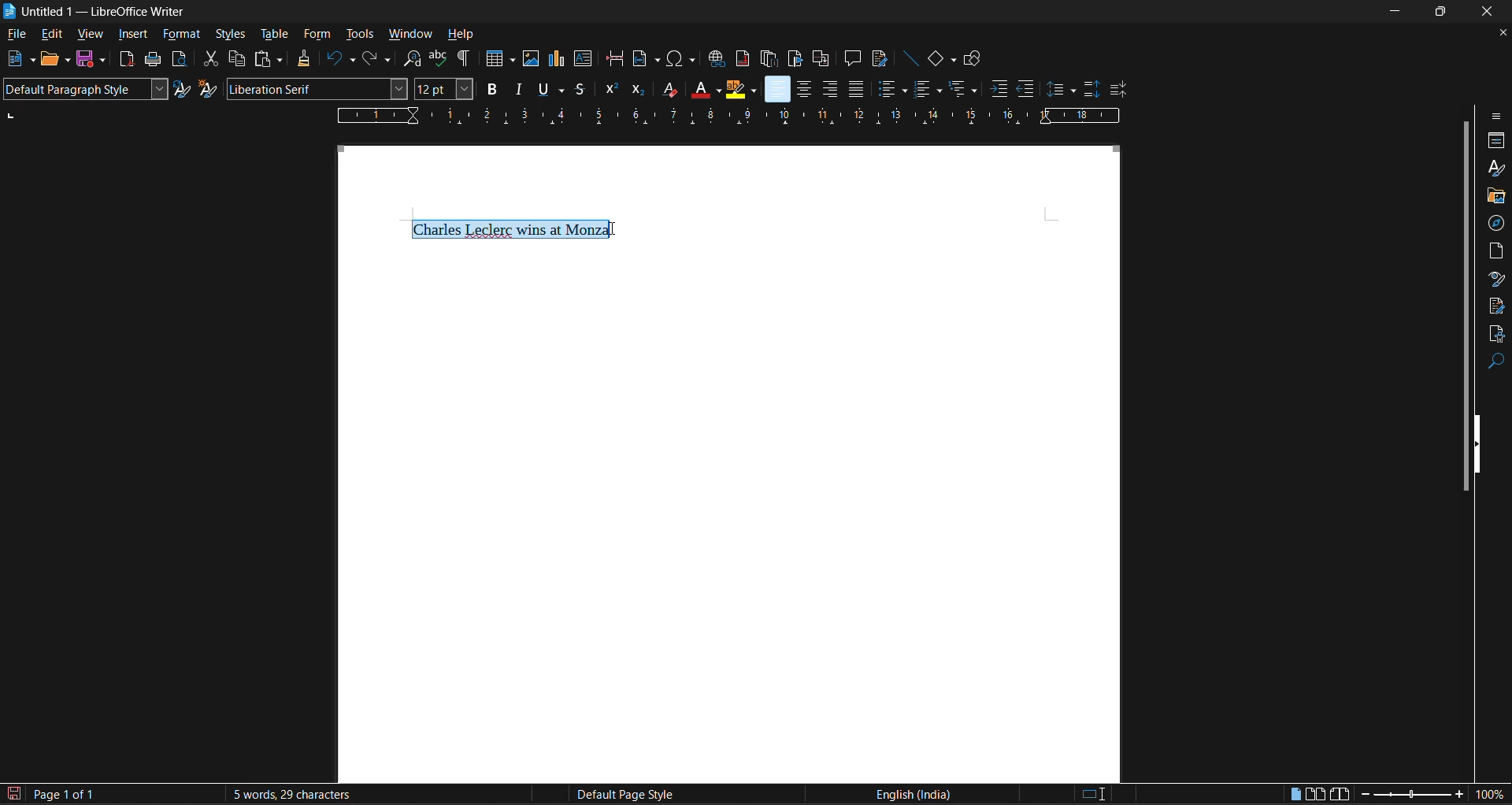 Image resolution: width=1512 pixels, height=805 pixels. I want to click on clear direct formatting, so click(666, 88).